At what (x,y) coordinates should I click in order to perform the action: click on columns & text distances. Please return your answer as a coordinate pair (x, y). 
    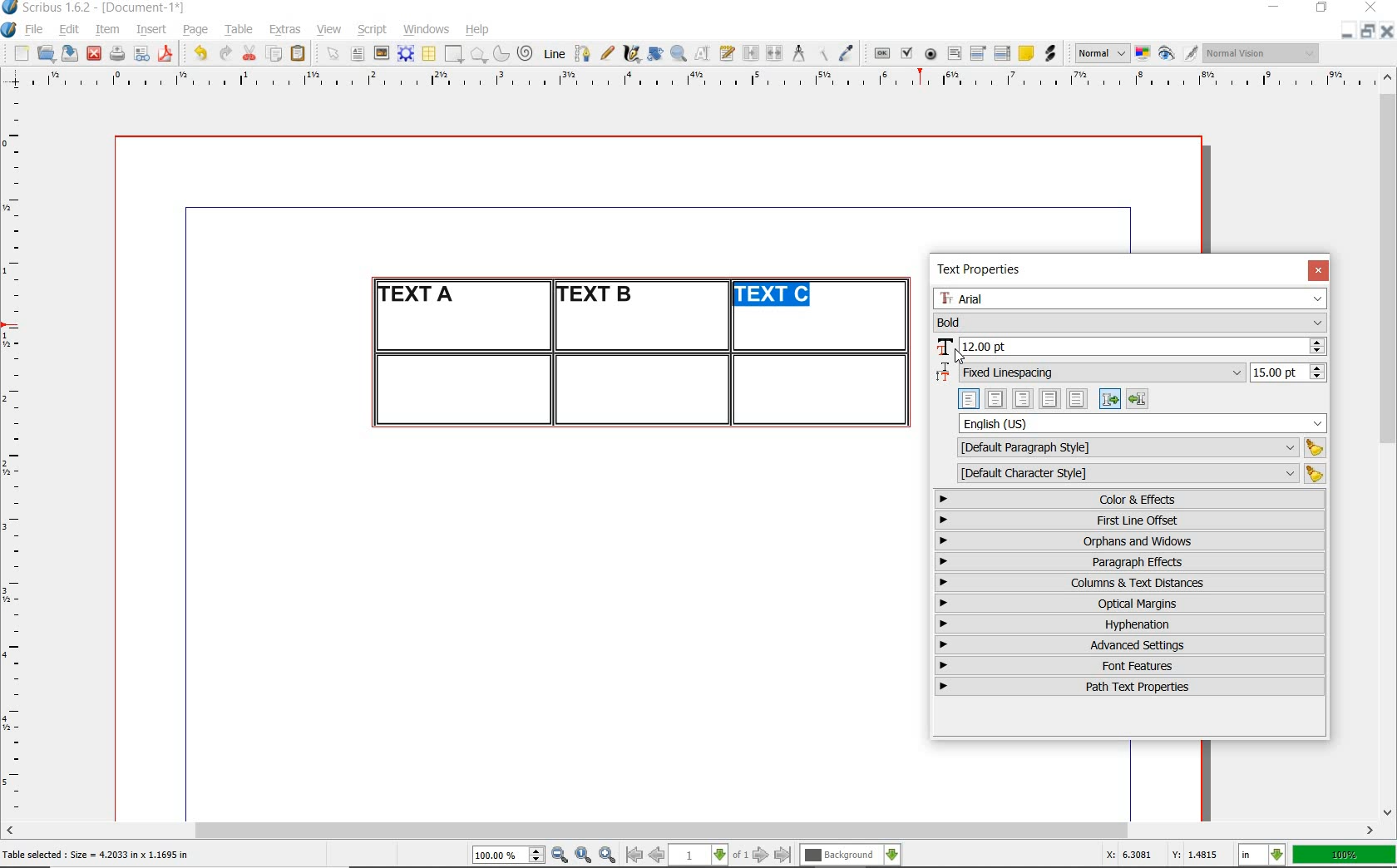
    Looking at the image, I should click on (1133, 583).